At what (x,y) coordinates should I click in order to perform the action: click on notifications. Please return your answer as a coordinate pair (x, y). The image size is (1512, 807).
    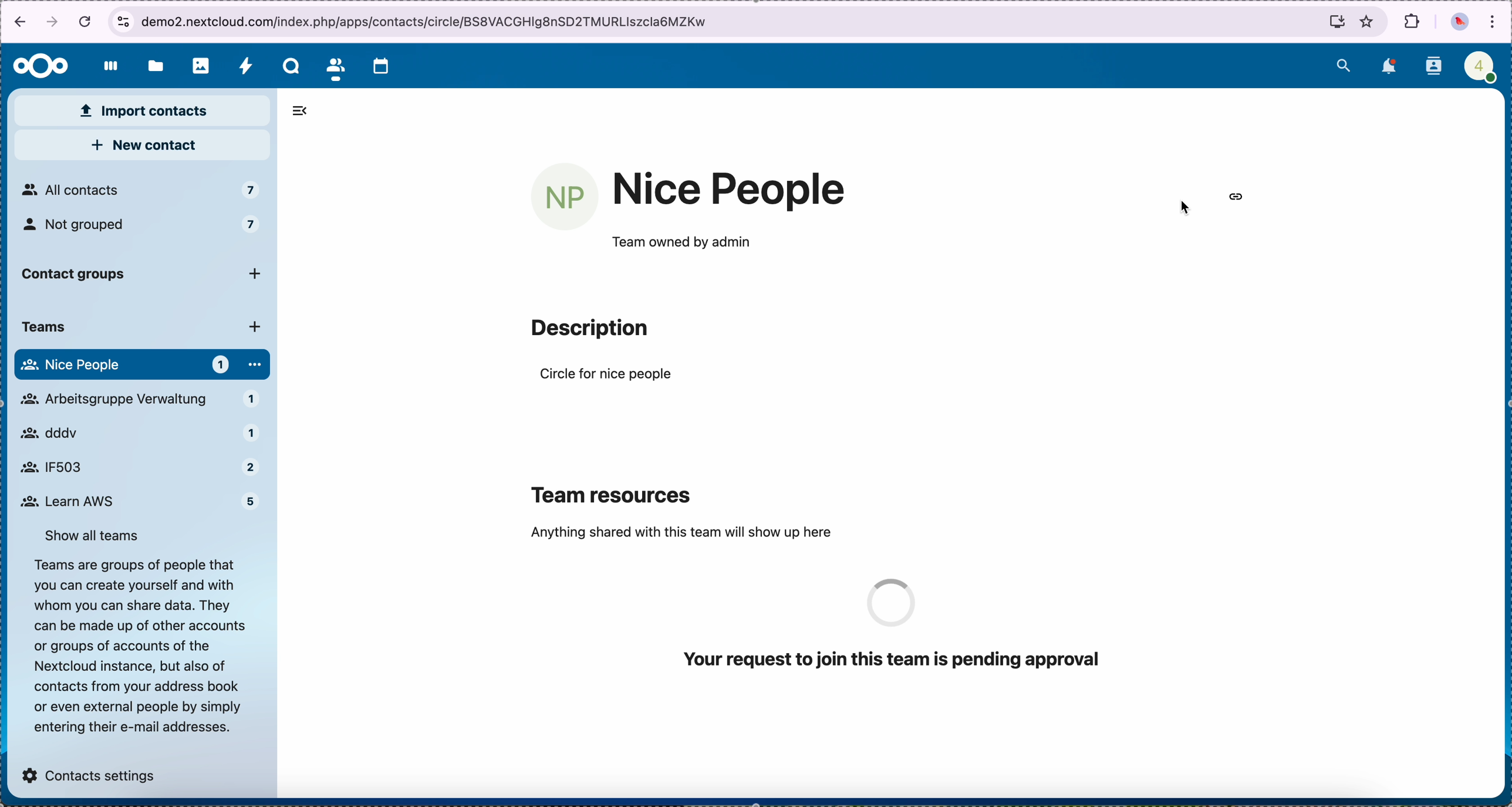
    Looking at the image, I should click on (1387, 67).